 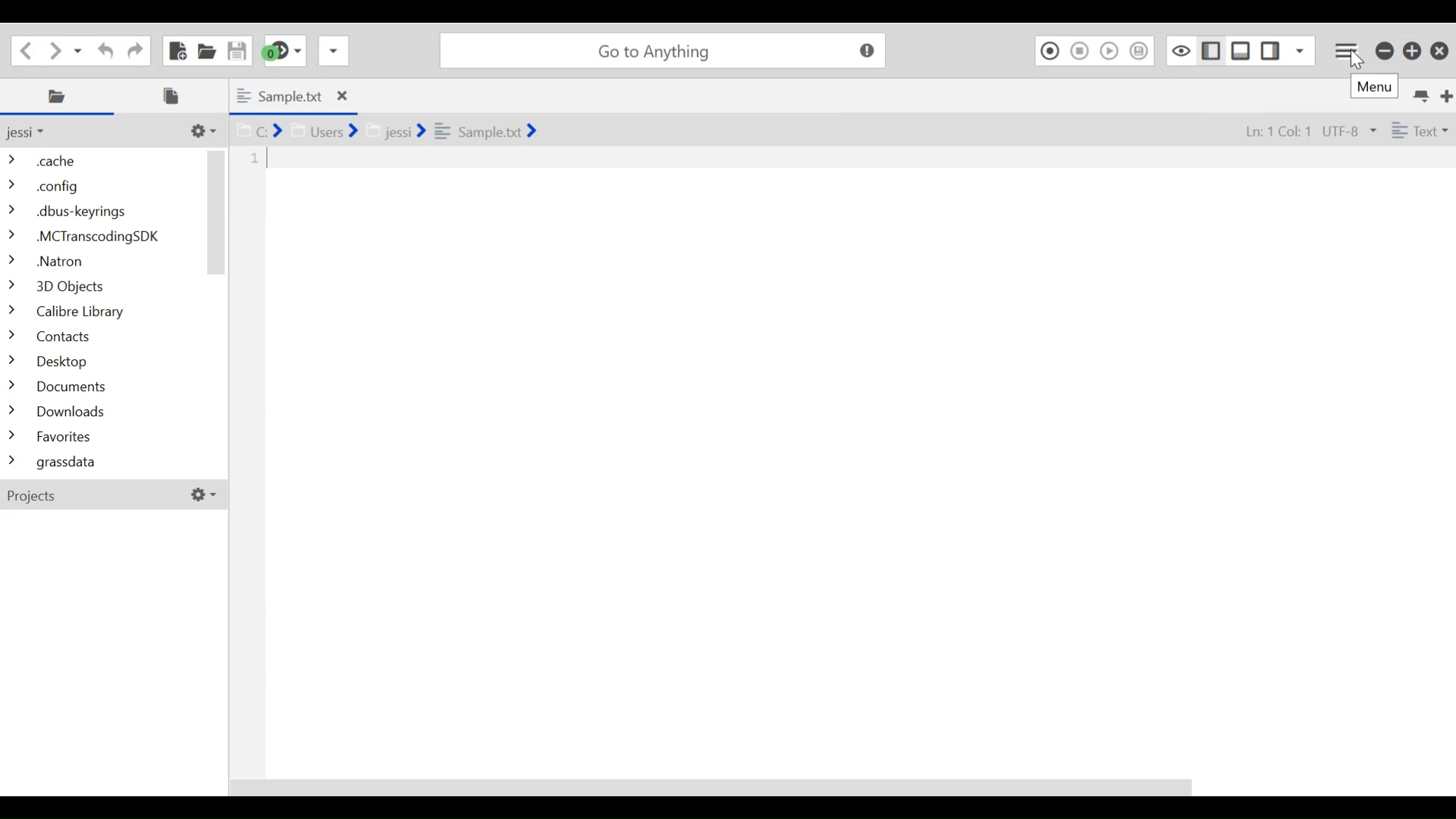 What do you see at coordinates (1141, 50) in the screenshot?
I see `Save Macro as Toolbox as Superscript` at bounding box center [1141, 50].